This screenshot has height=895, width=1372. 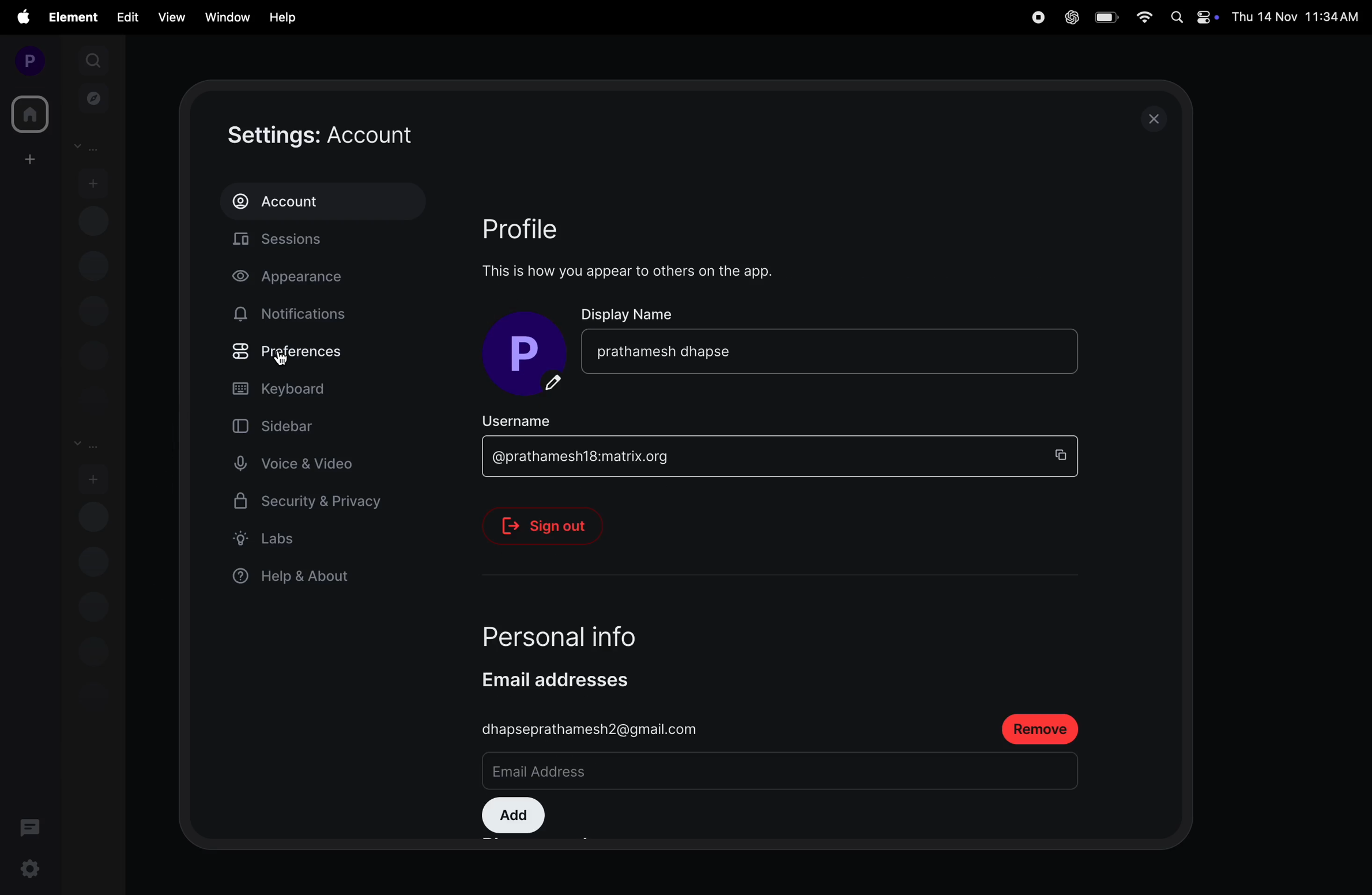 What do you see at coordinates (310, 242) in the screenshot?
I see `sessions` at bounding box center [310, 242].